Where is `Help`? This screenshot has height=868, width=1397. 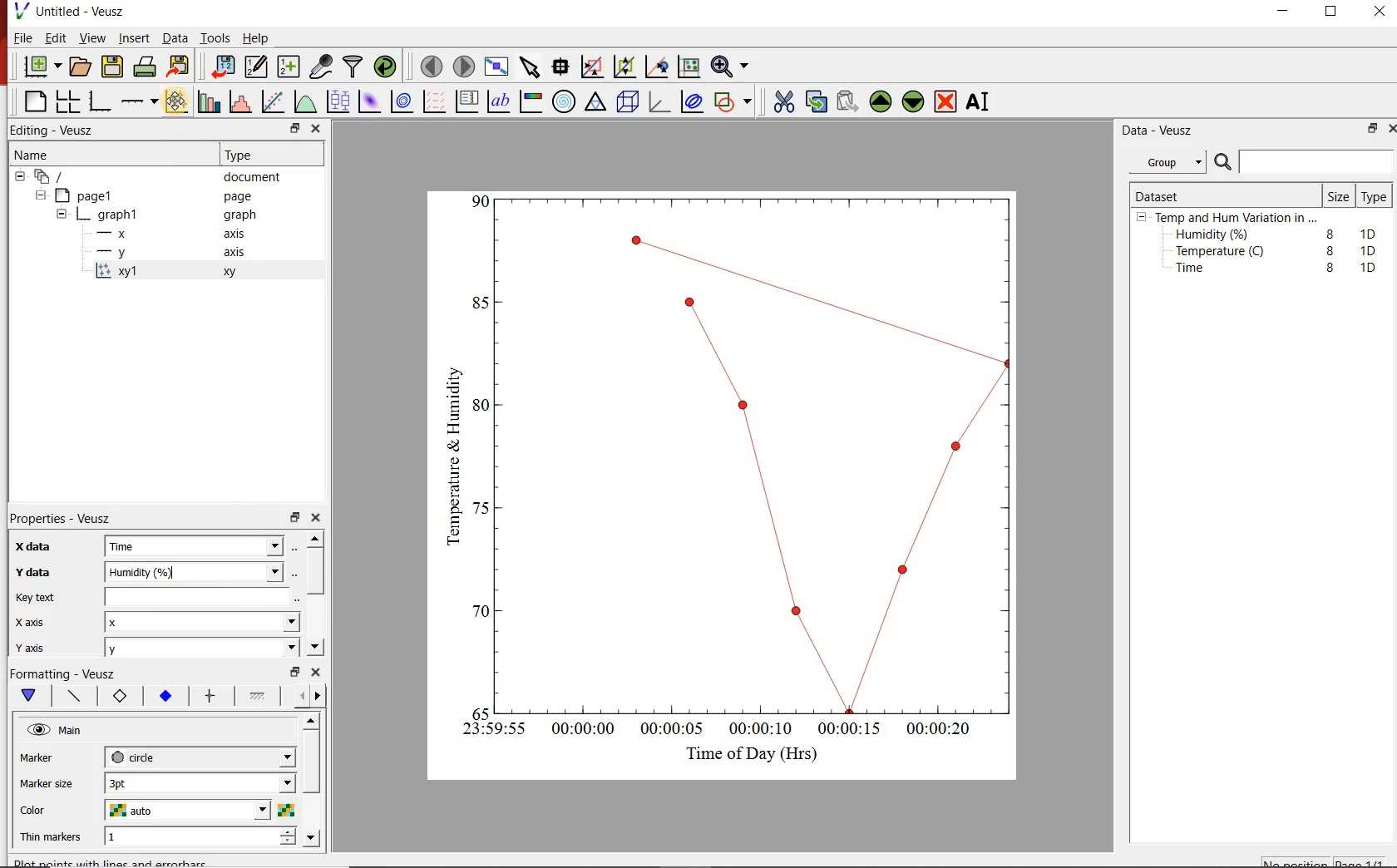
Help is located at coordinates (257, 37).